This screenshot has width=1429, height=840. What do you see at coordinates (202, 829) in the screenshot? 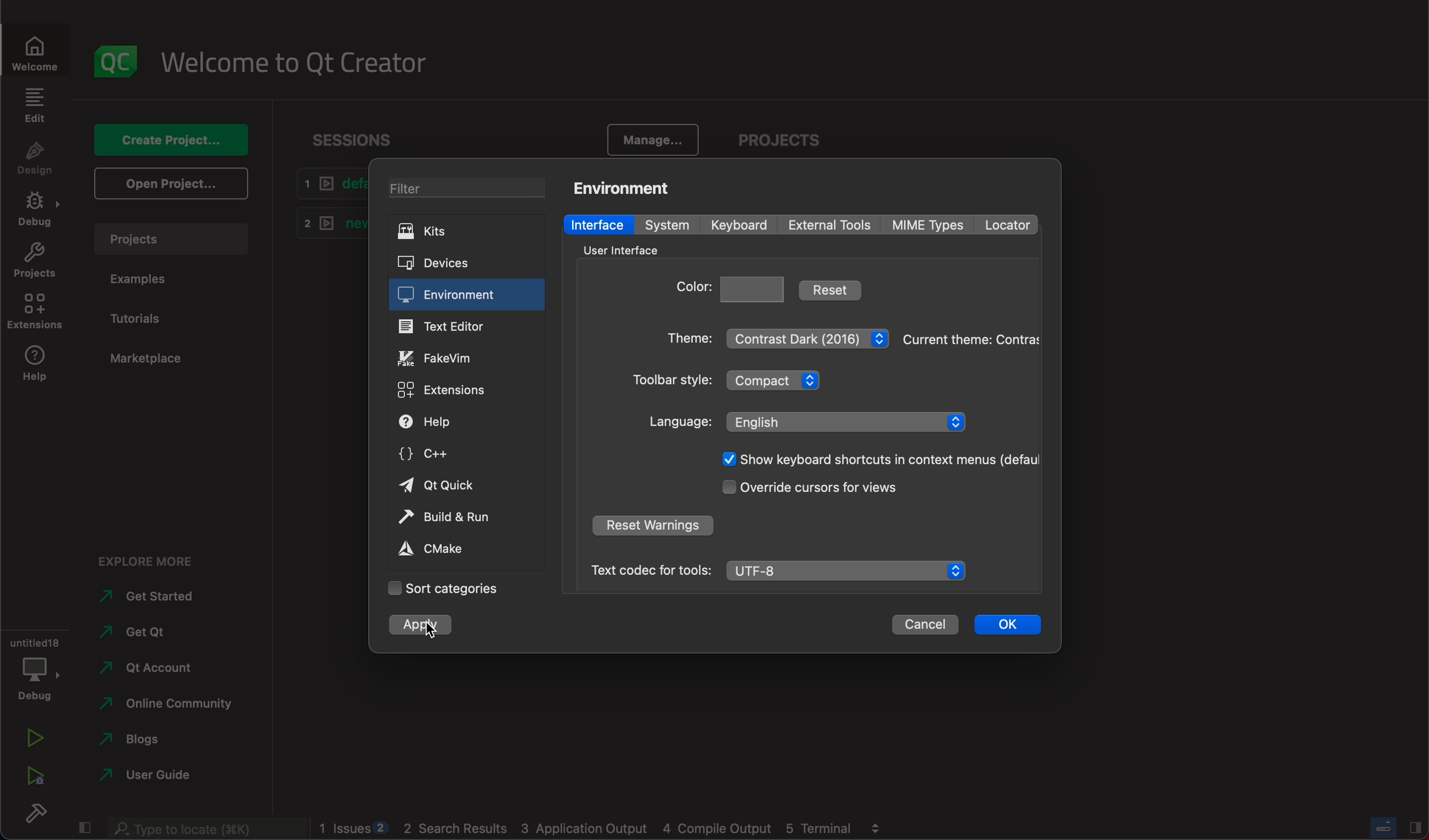
I see `` at bounding box center [202, 829].